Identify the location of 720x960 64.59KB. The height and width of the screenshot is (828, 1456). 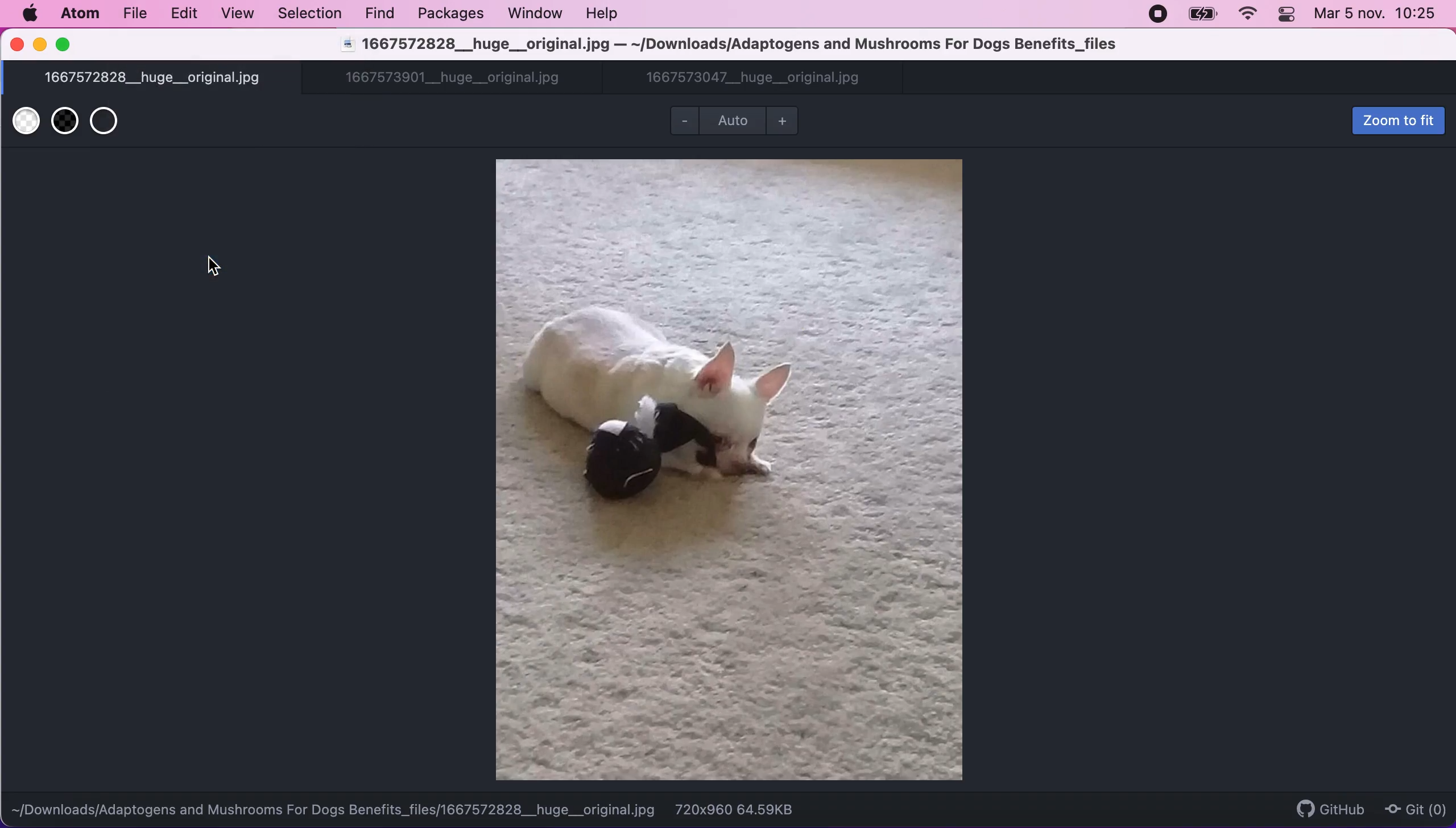
(735, 810).